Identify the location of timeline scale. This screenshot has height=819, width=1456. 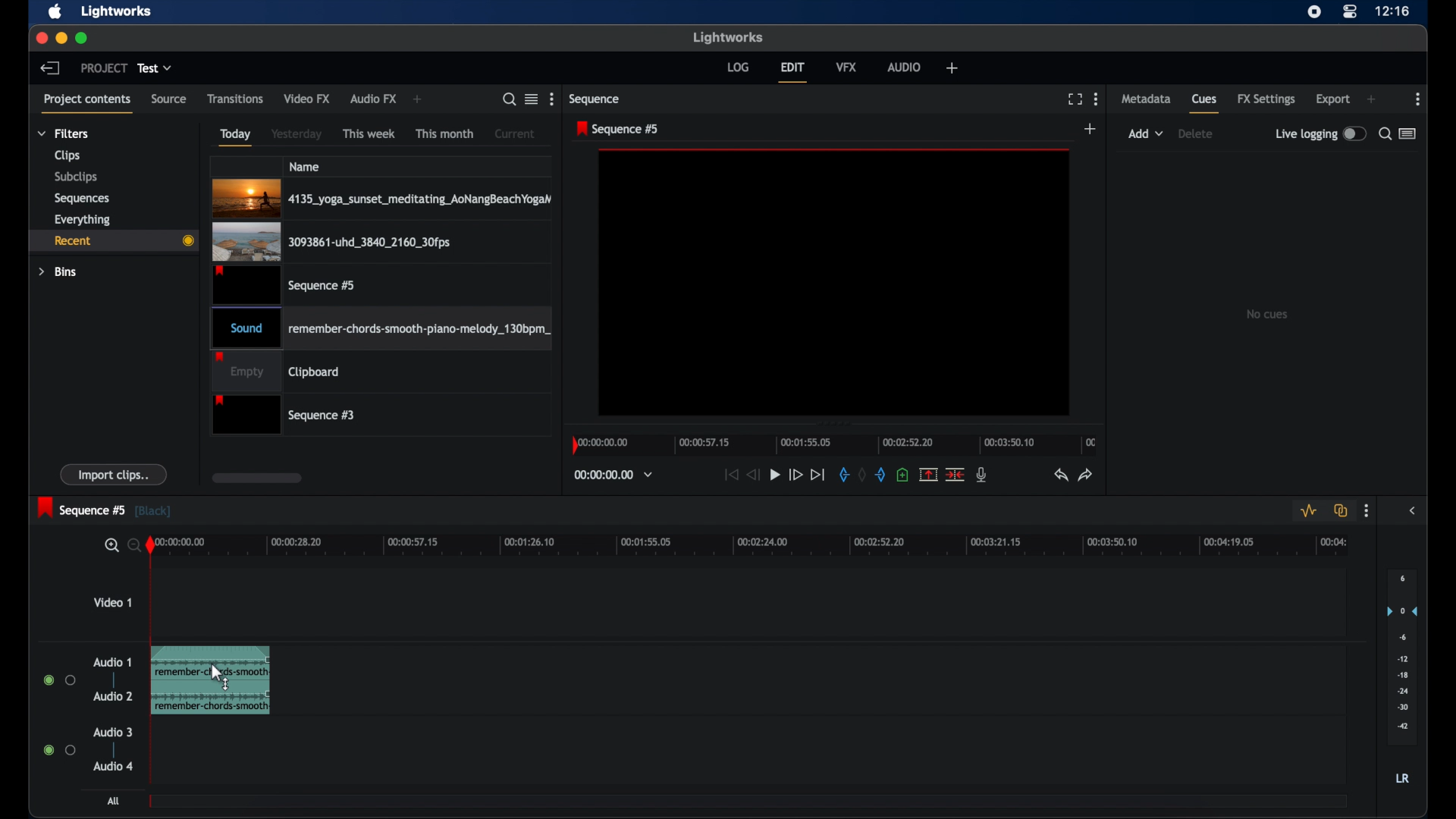
(757, 546).